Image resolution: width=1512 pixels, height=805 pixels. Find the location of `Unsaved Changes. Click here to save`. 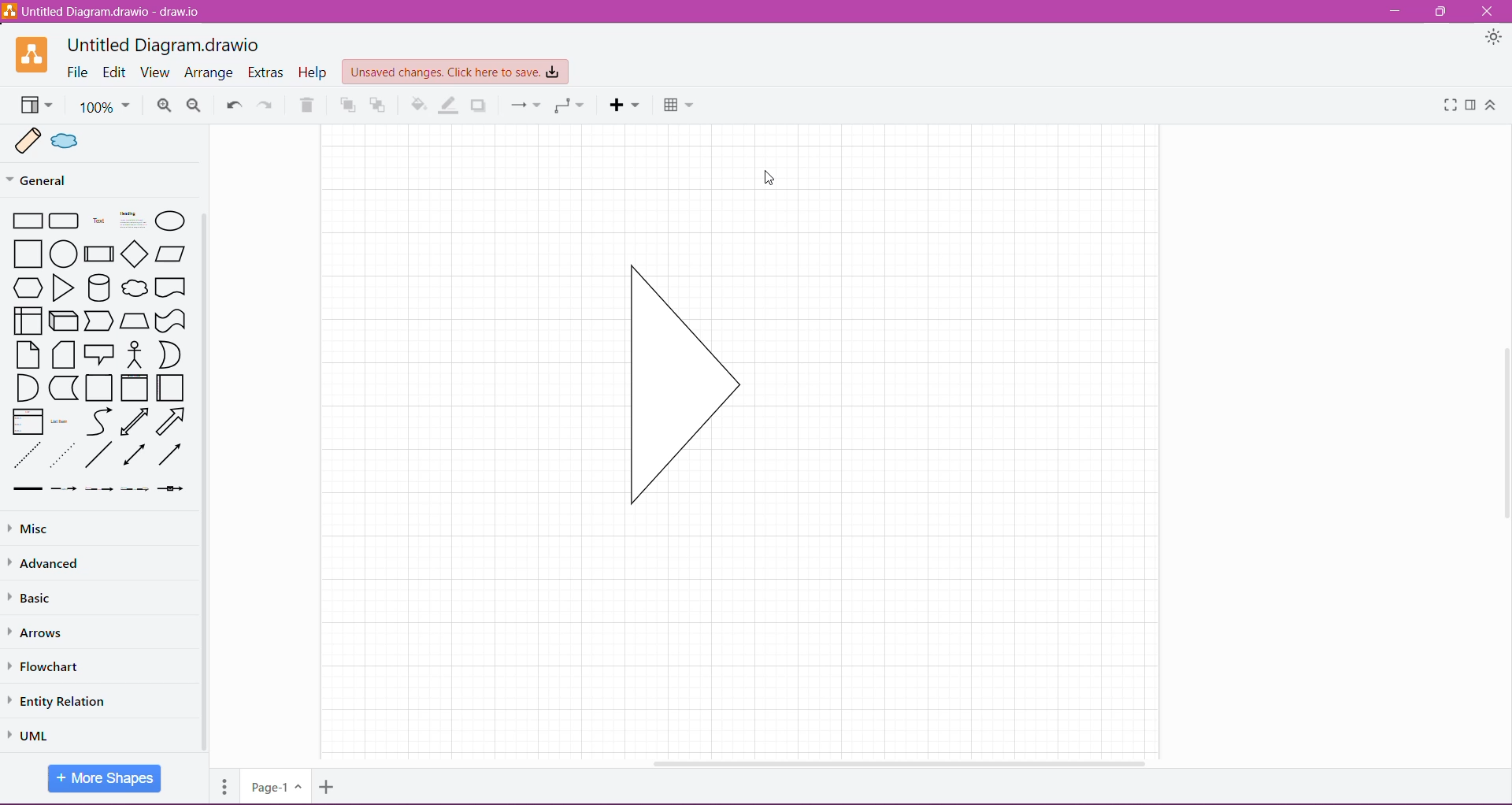

Unsaved Changes. Click here to save is located at coordinates (454, 72).